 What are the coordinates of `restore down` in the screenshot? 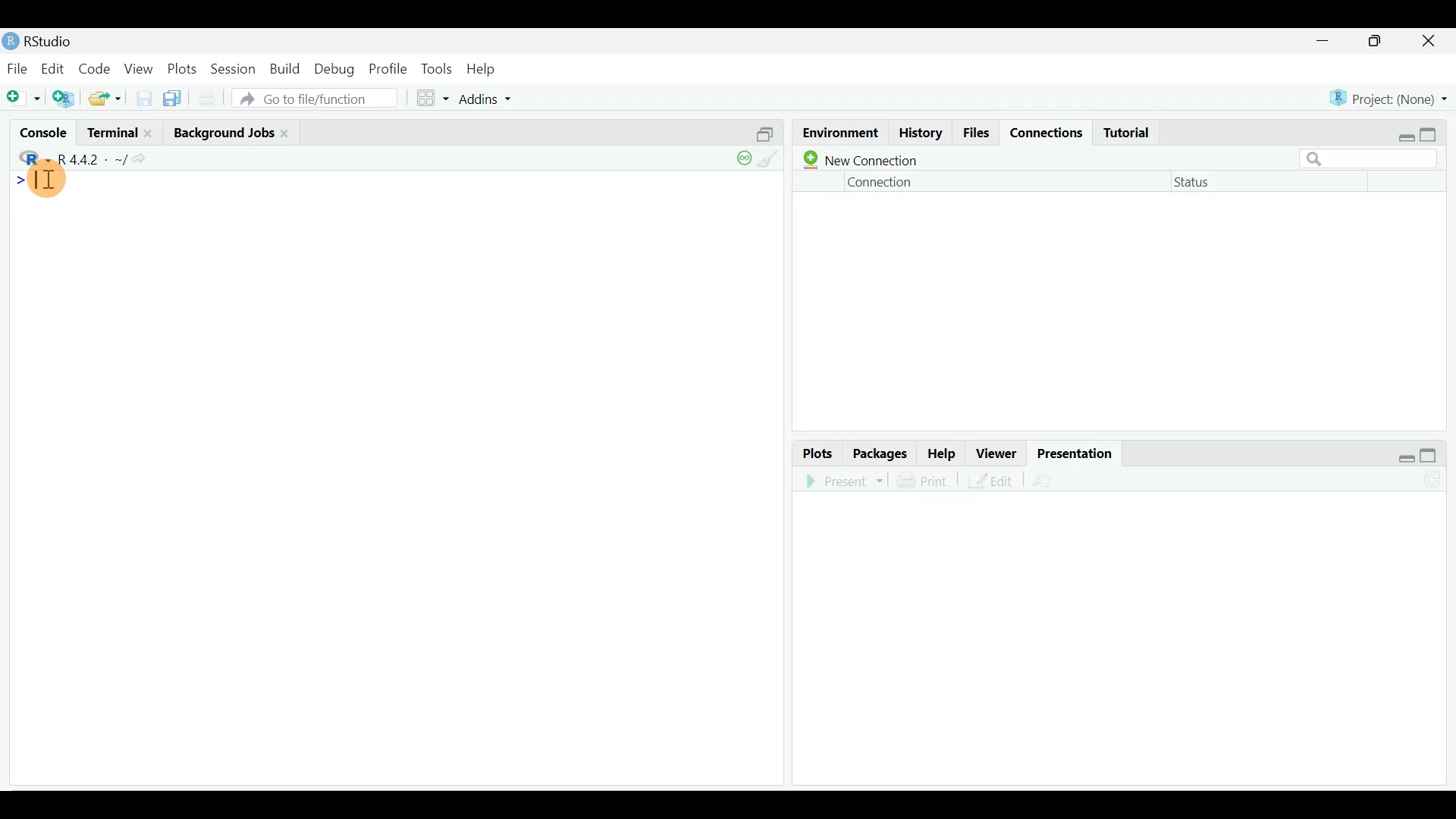 It's located at (1401, 129).